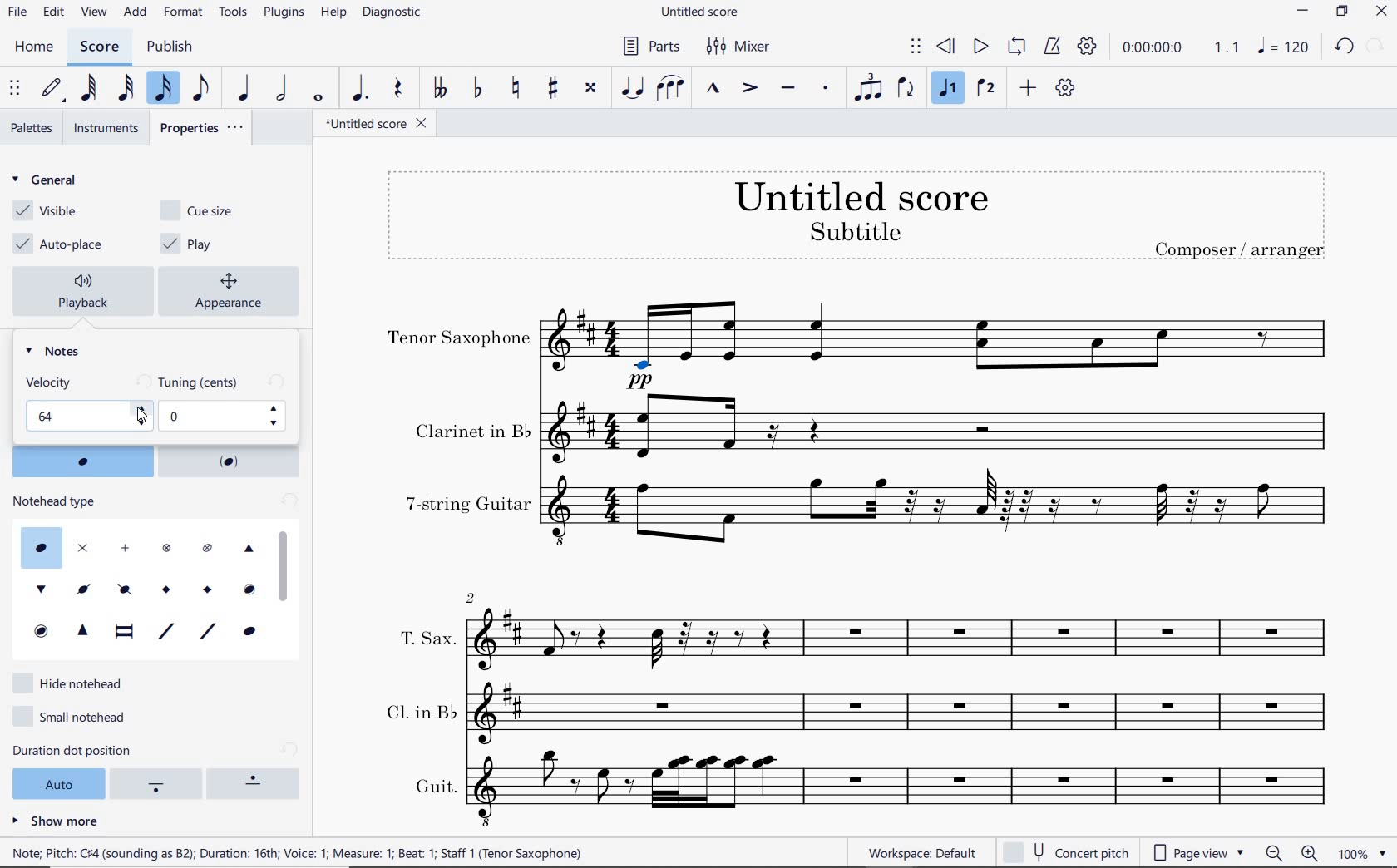  Describe the element at coordinates (141, 382) in the screenshot. I see `reset` at that location.